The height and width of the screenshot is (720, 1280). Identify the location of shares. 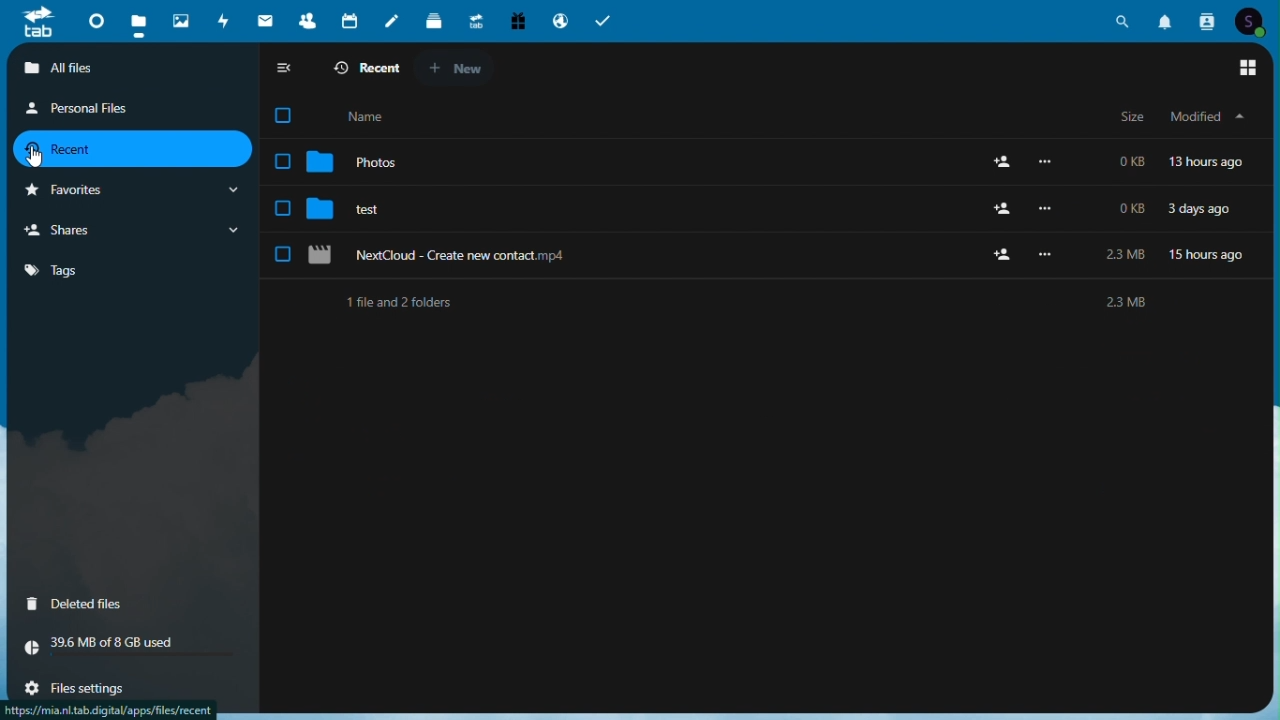
(132, 230).